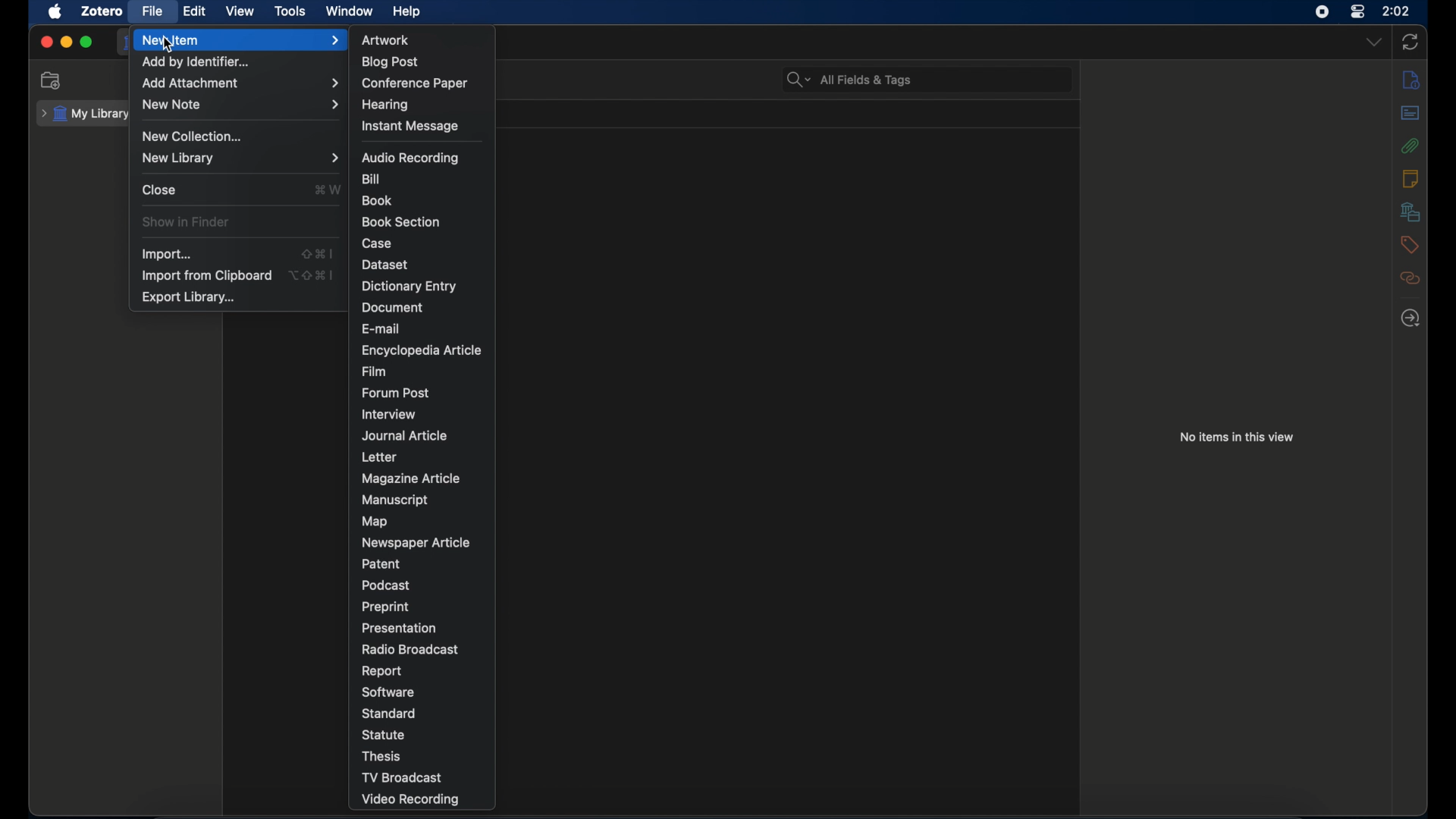  I want to click on no items in this view, so click(1237, 437).